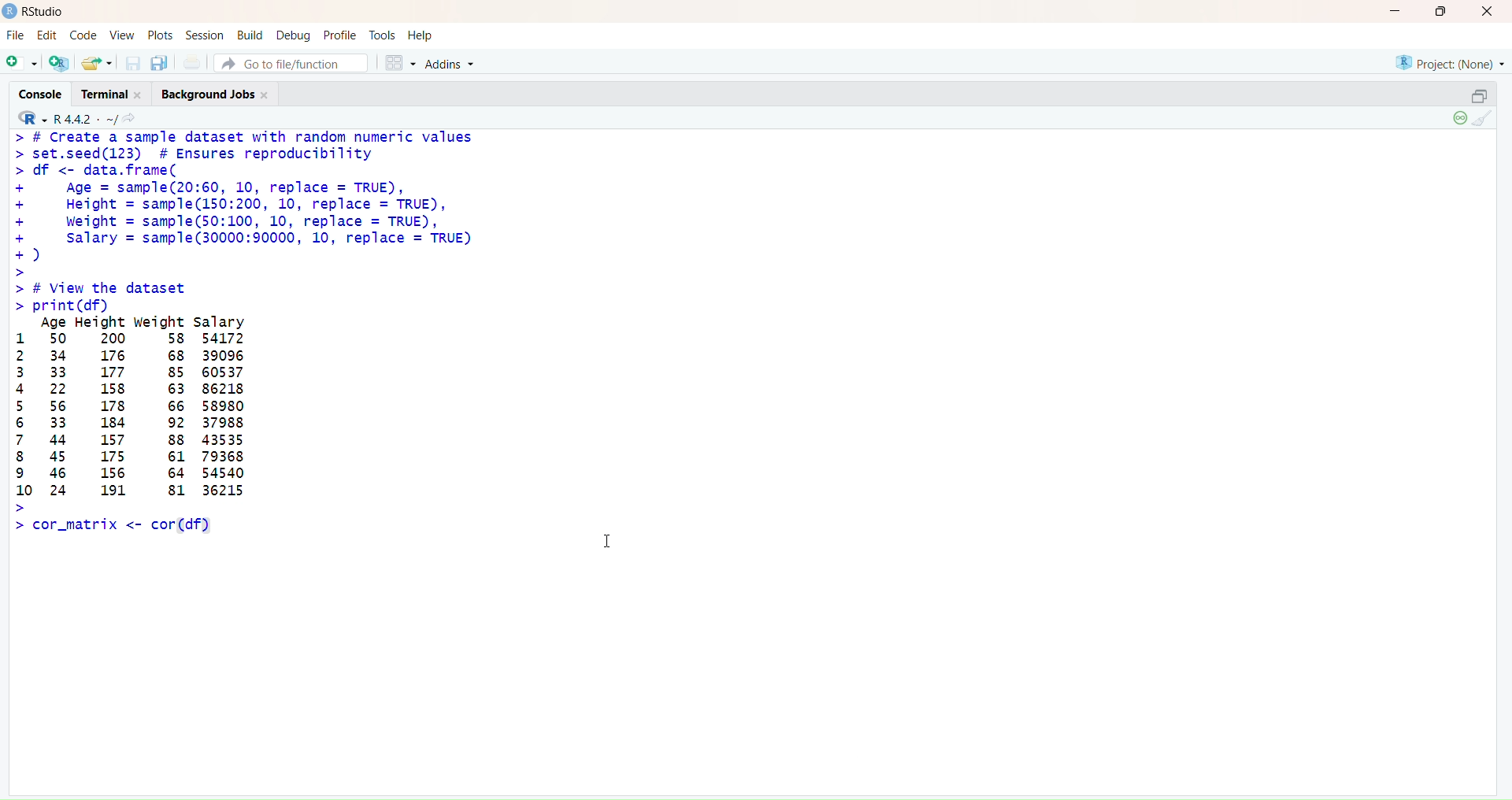 This screenshot has height=800, width=1512. What do you see at coordinates (1479, 96) in the screenshot?
I see `Restore` at bounding box center [1479, 96].